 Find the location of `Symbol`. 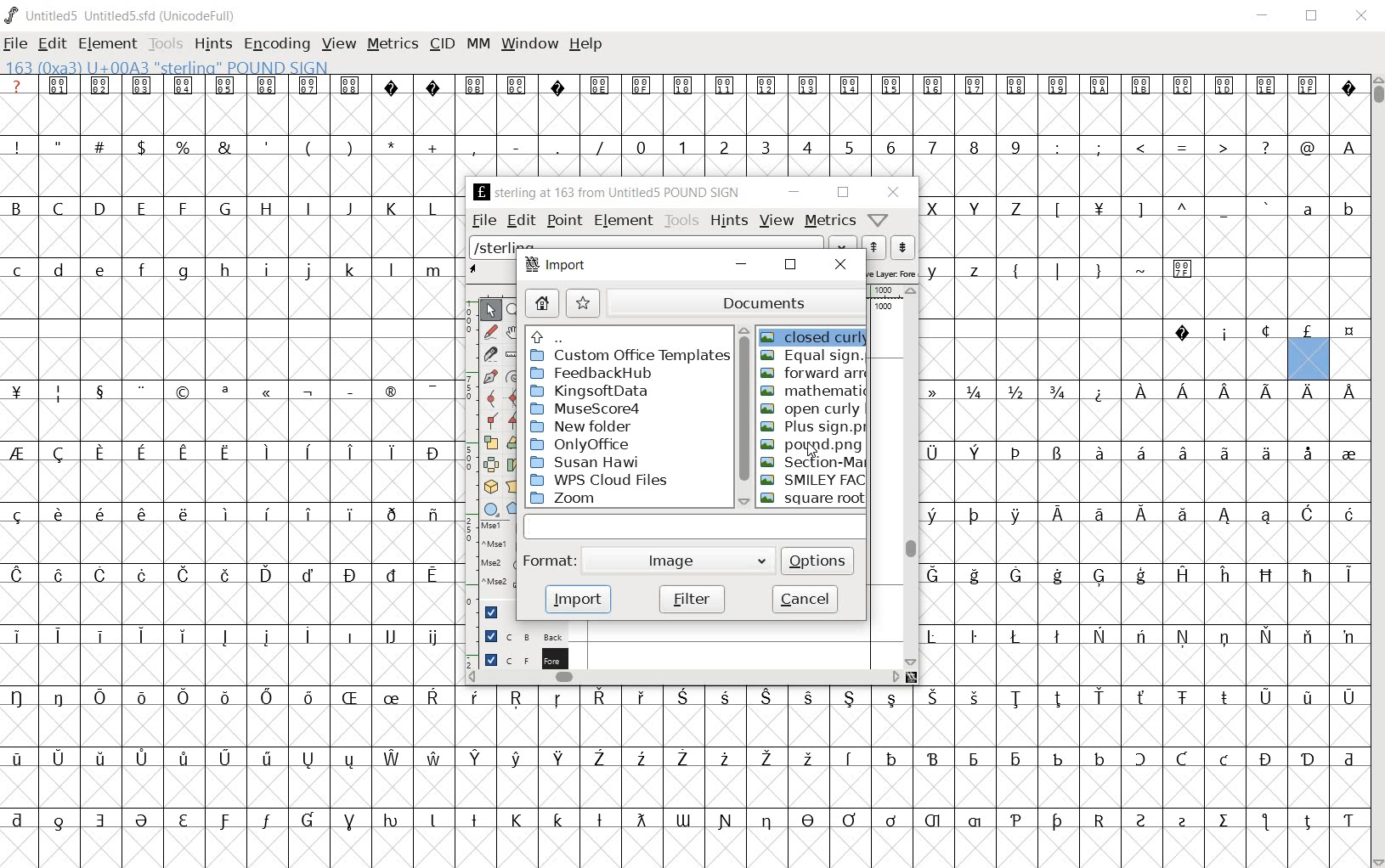

Symbol is located at coordinates (141, 454).